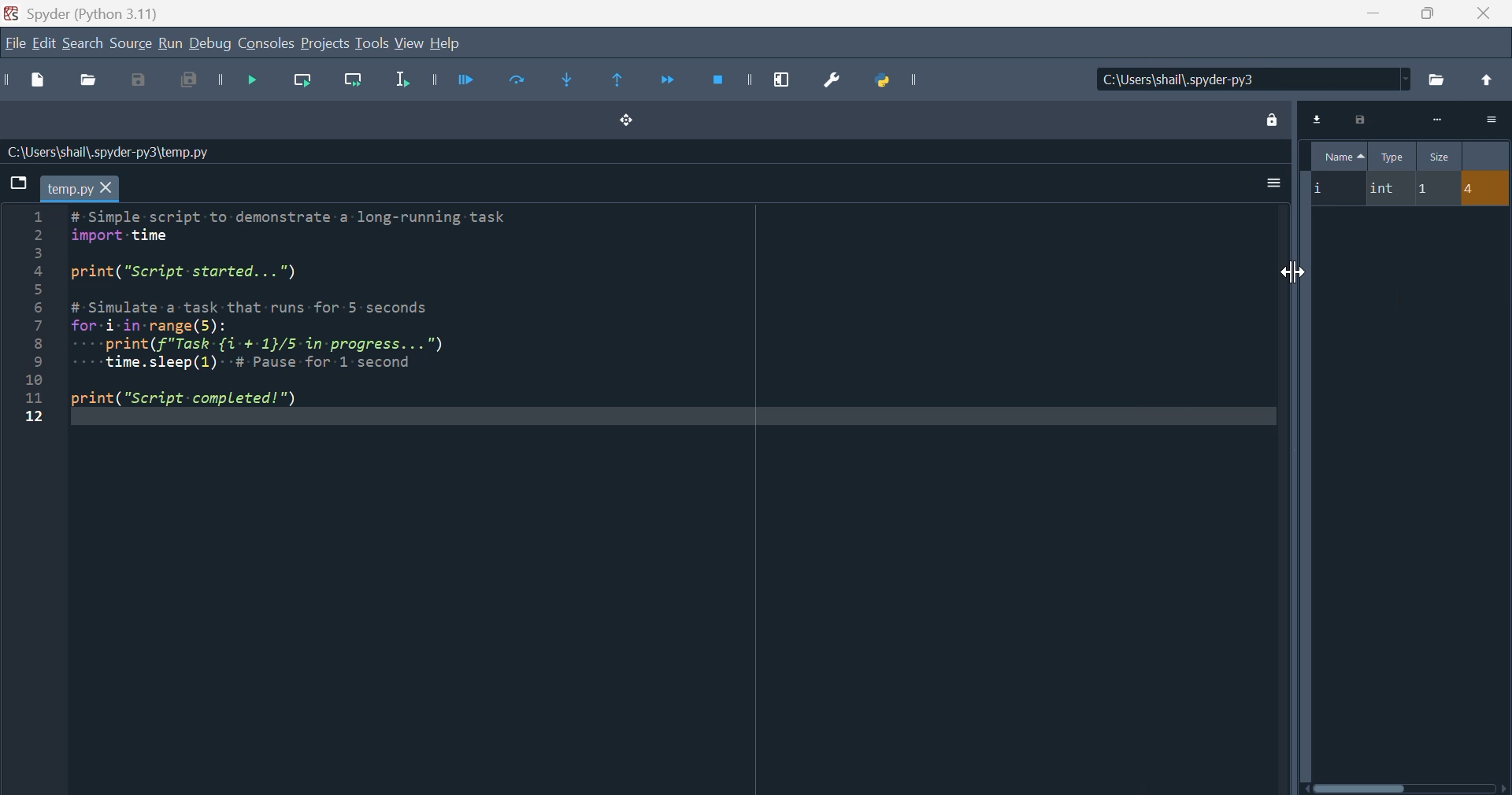 The height and width of the screenshot is (795, 1512). Describe the element at coordinates (309, 315) in the screenshot. I see `code` at that location.